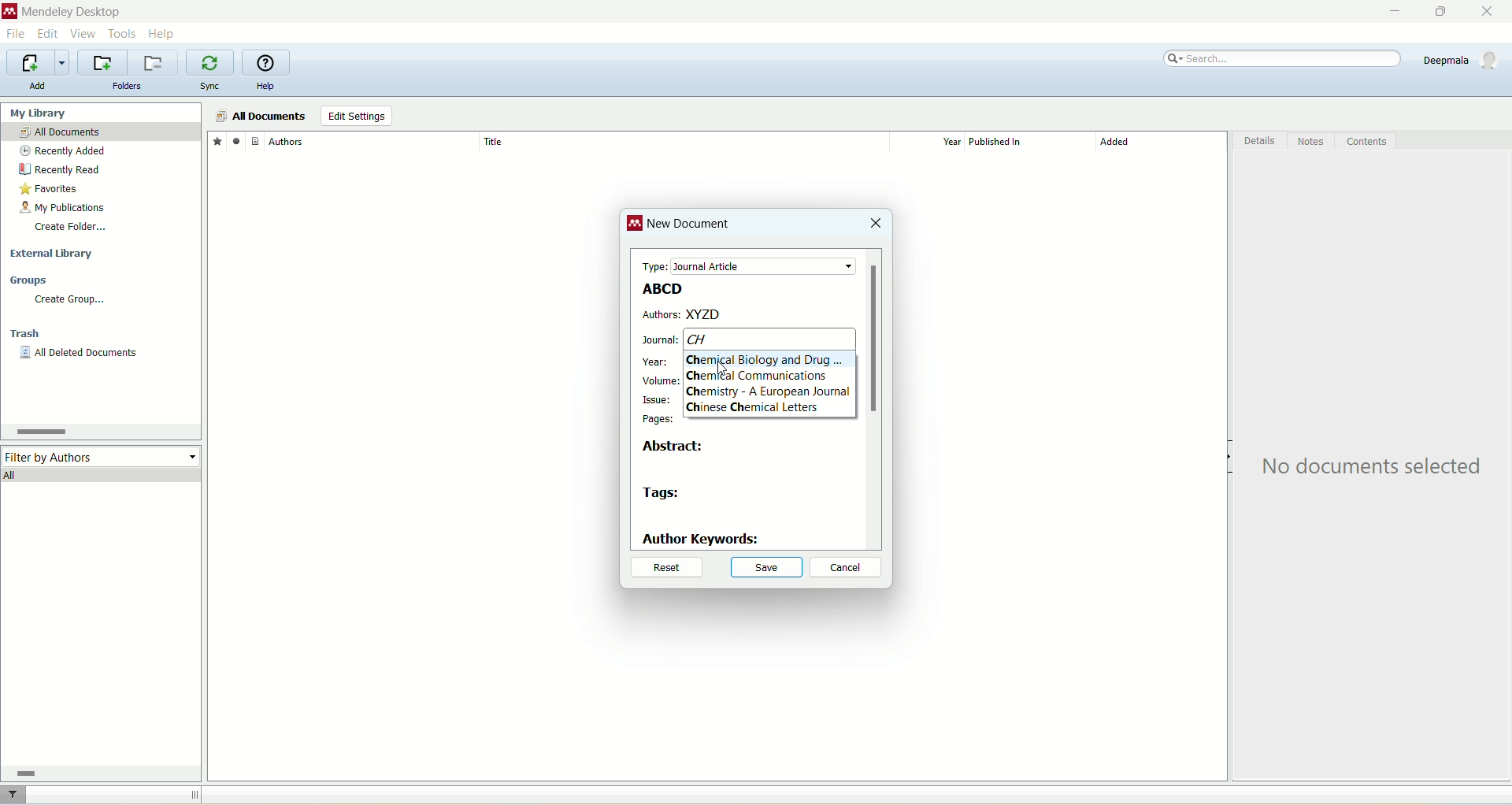 The height and width of the screenshot is (805, 1512). What do you see at coordinates (655, 363) in the screenshot?
I see `year` at bounding box center [655, 363].